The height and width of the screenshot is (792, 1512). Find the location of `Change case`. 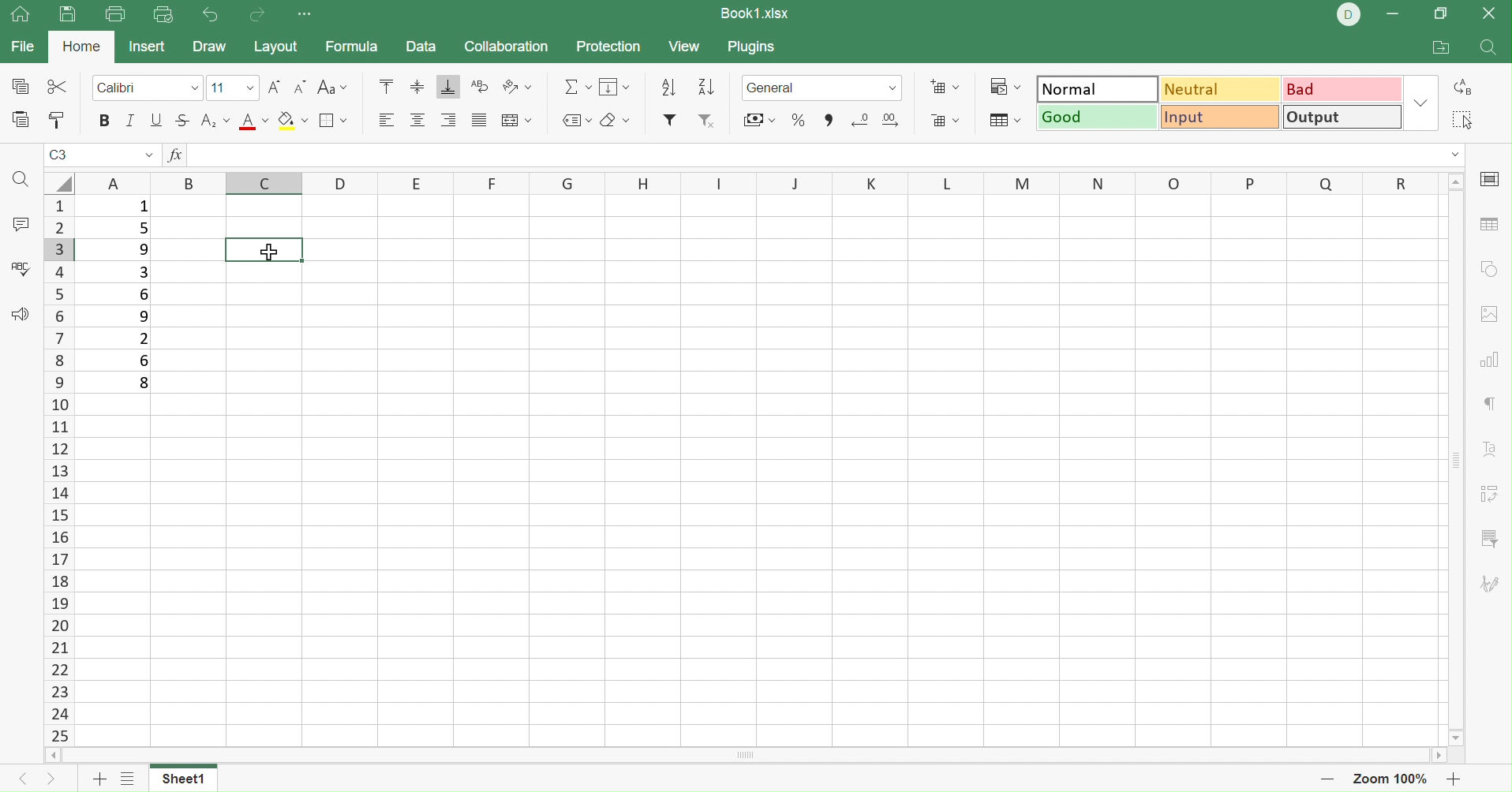

Change case is located at coordinates (331, 87).